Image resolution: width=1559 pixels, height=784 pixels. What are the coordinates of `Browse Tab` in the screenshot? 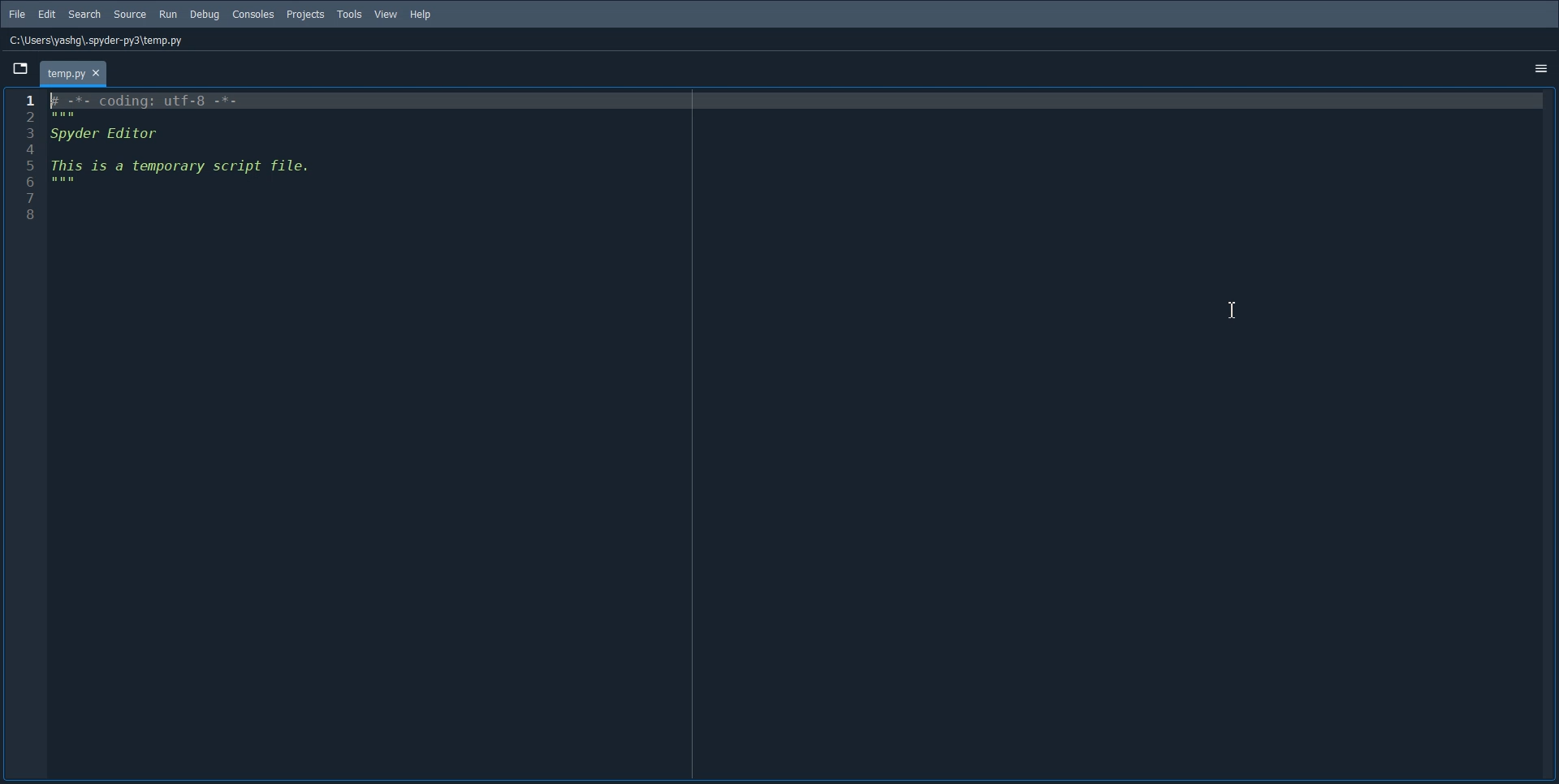 It's located at (19, 69).